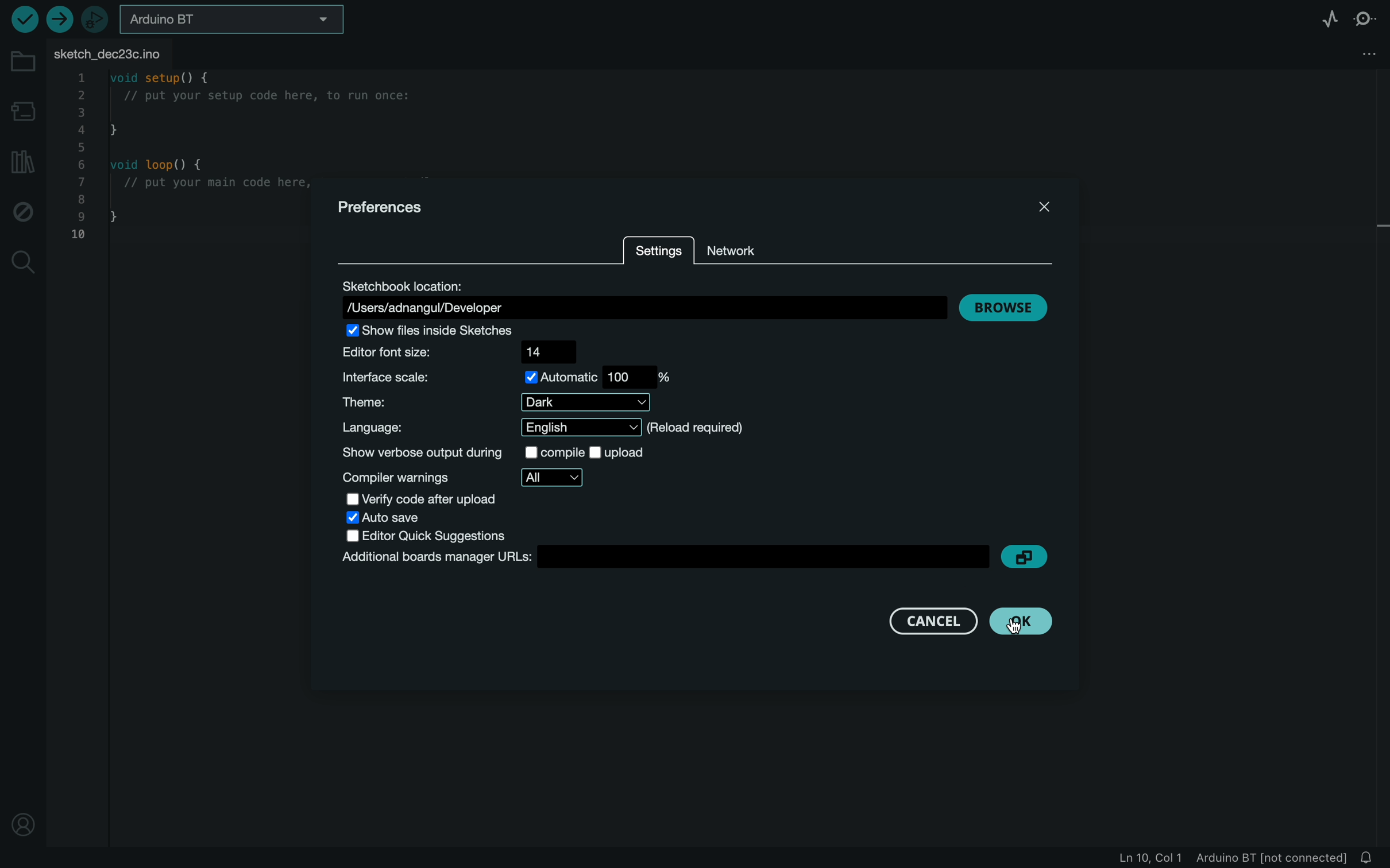 The height and width of the screenshot is (868, 1390). What do you see at coordinates (497, 402) in the screenshot?
I see `theme` at bounding box center [497, 402].